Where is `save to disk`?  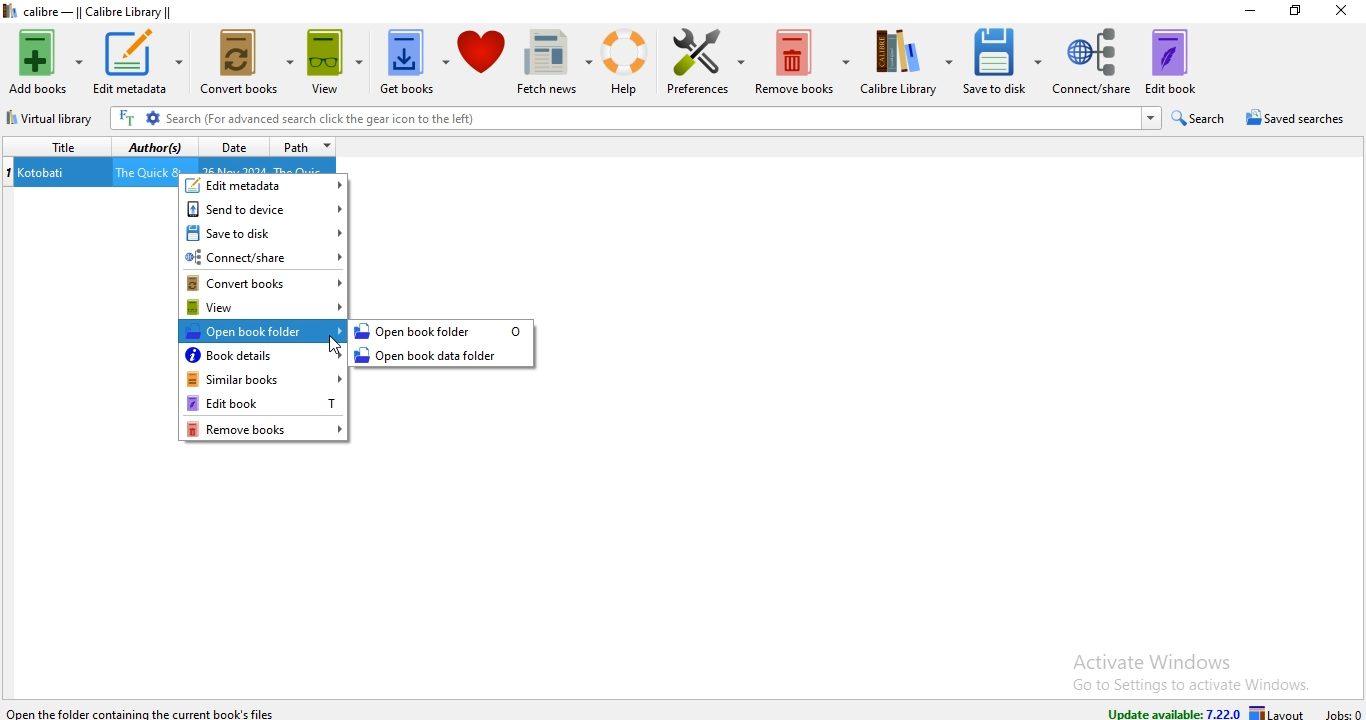
save to disk is located at coordinates (1003, 60).